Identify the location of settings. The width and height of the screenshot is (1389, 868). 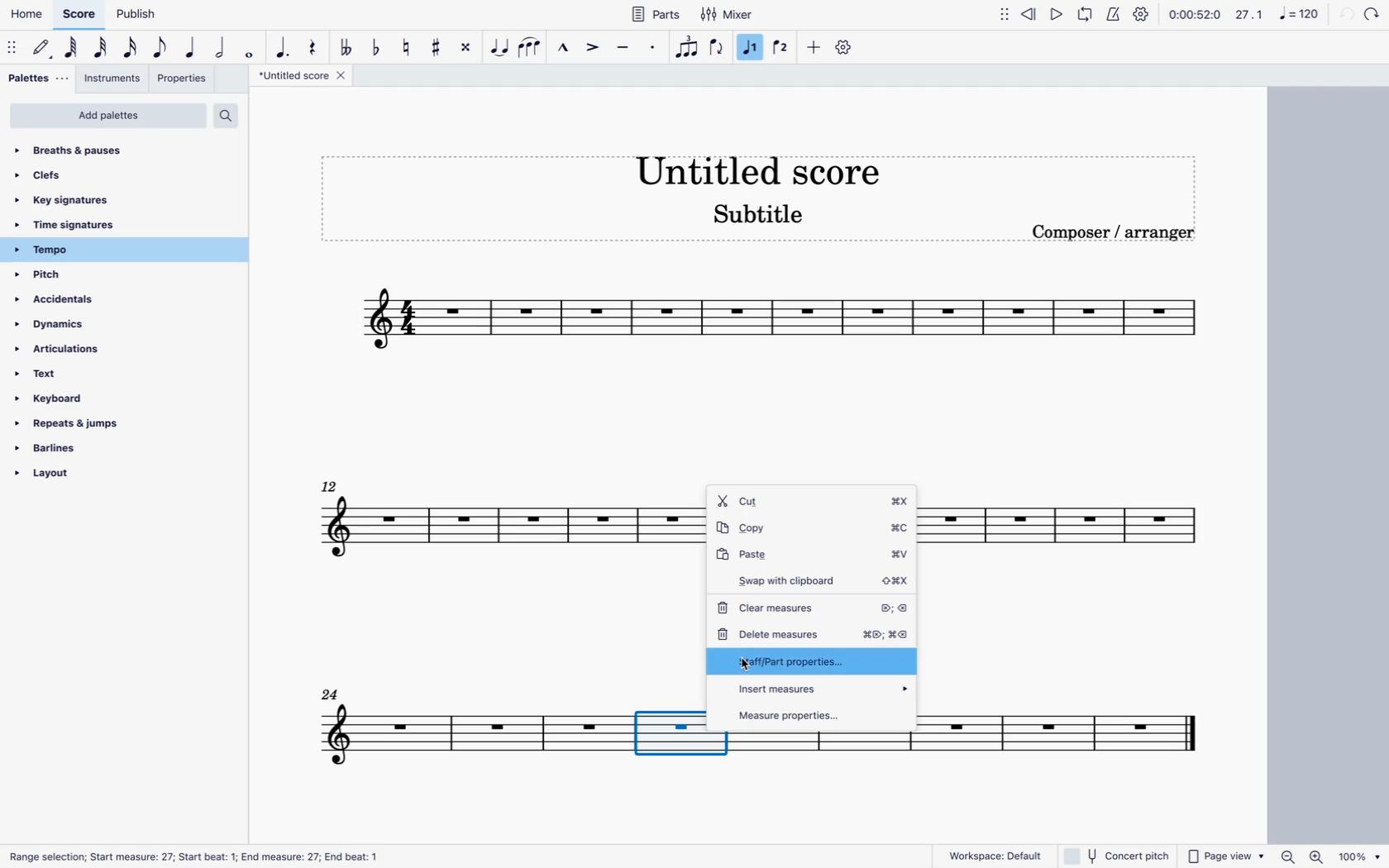
(1143, 16).